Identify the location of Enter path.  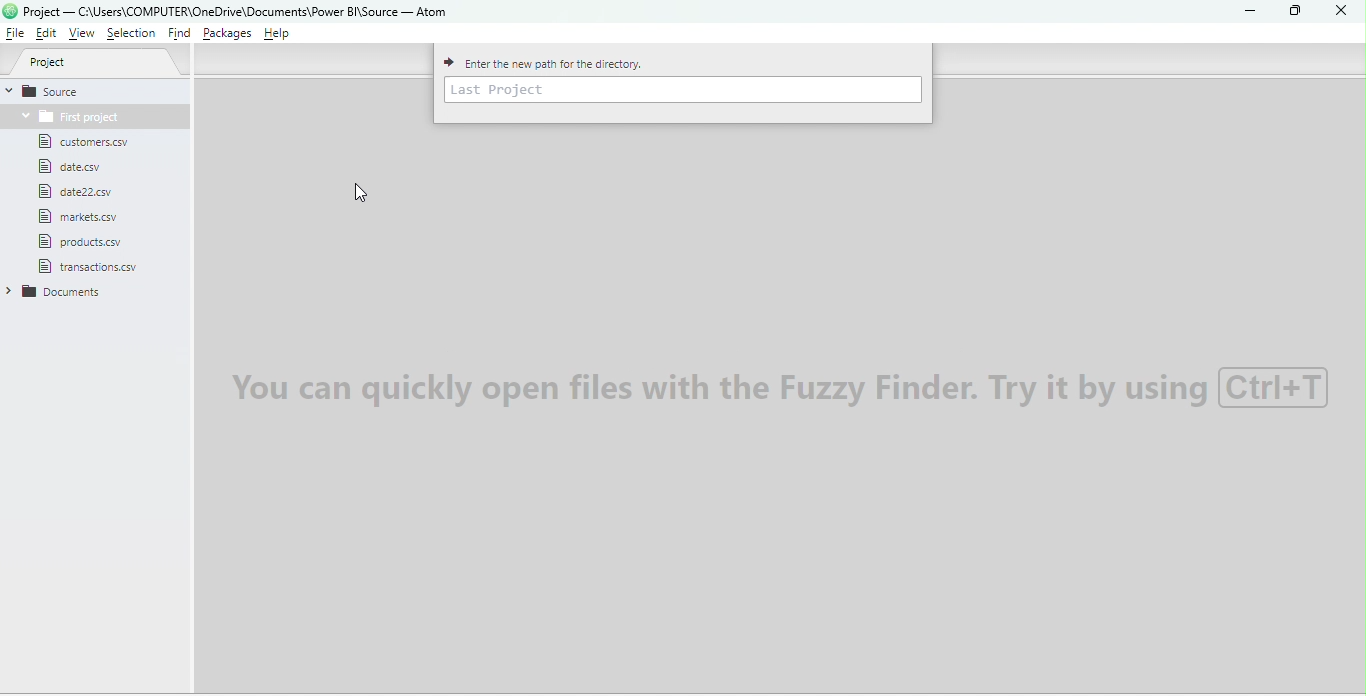
(684, 90).